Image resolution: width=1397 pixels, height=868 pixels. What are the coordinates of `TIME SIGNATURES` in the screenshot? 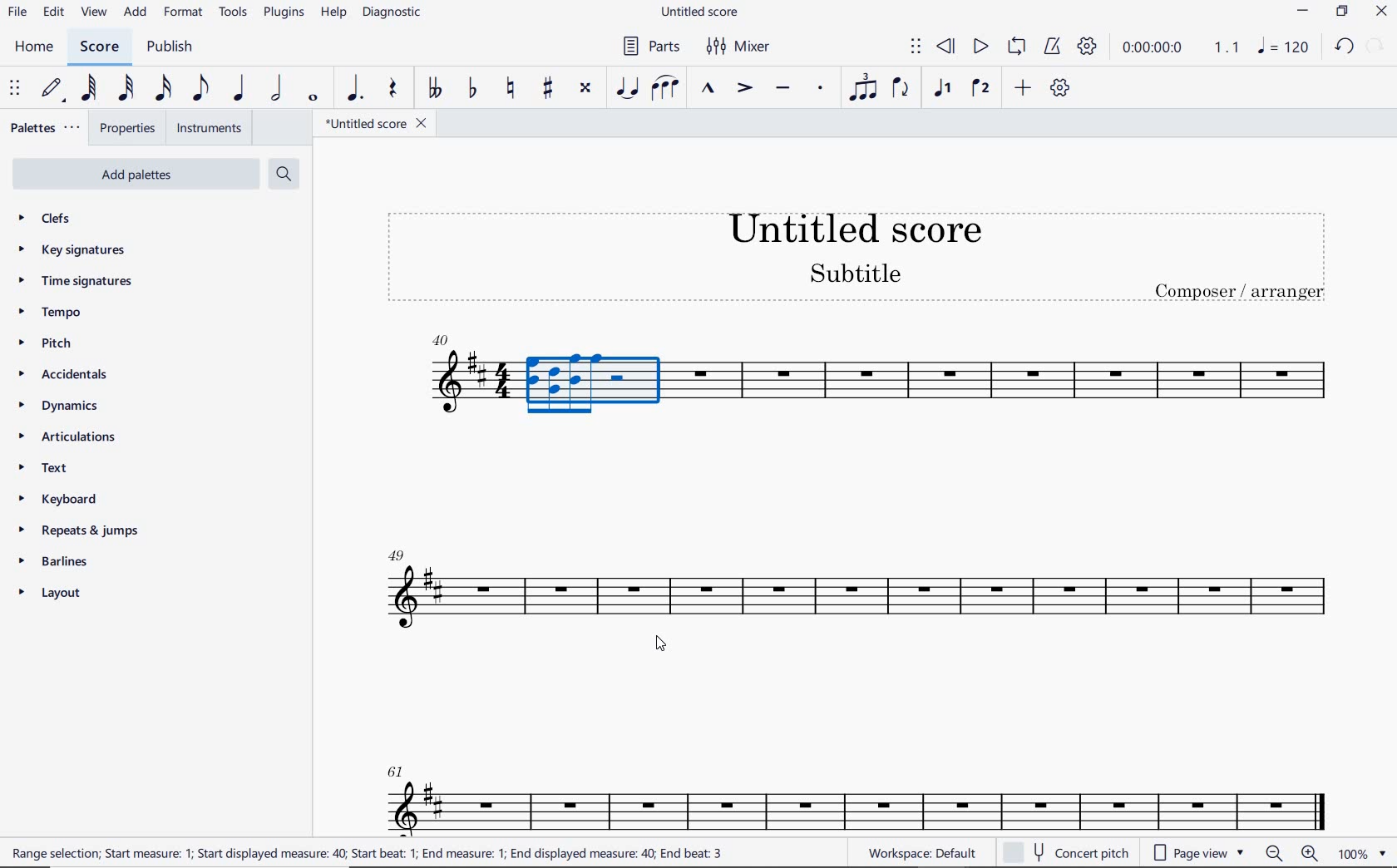 It's located at (77, 282).